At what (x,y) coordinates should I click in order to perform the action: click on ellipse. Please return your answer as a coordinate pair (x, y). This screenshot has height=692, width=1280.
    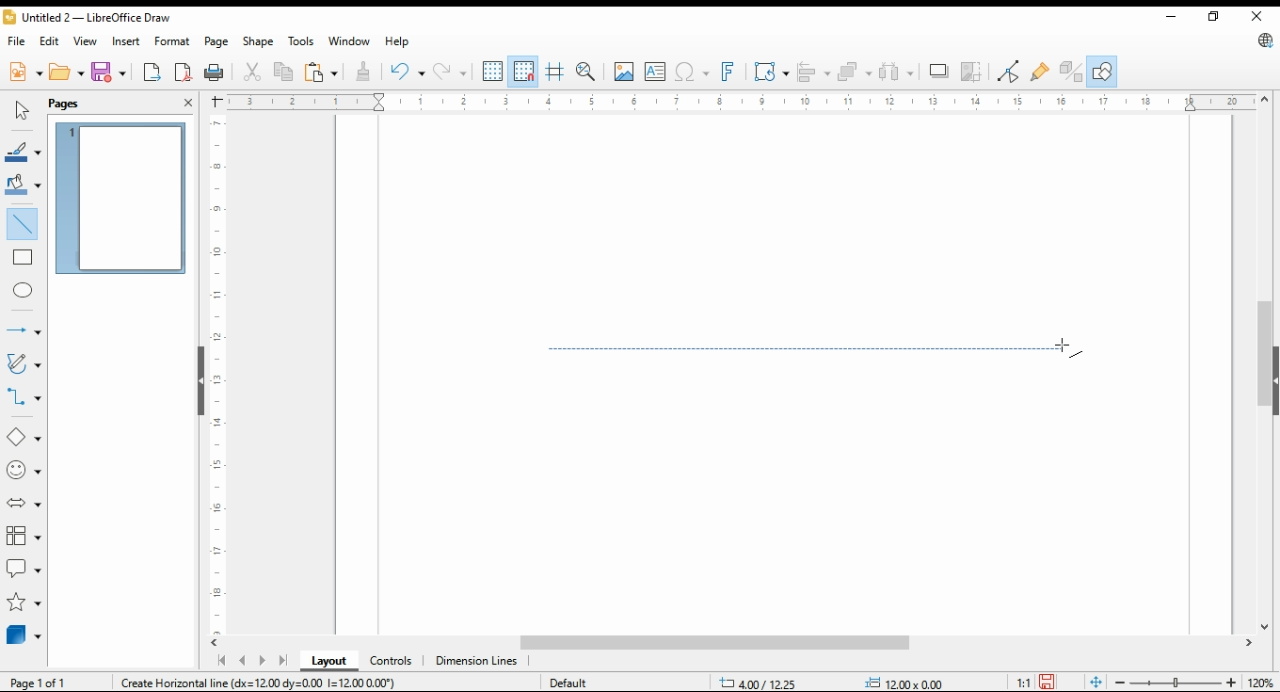
    Looking at the image, I should click on (24, 291).